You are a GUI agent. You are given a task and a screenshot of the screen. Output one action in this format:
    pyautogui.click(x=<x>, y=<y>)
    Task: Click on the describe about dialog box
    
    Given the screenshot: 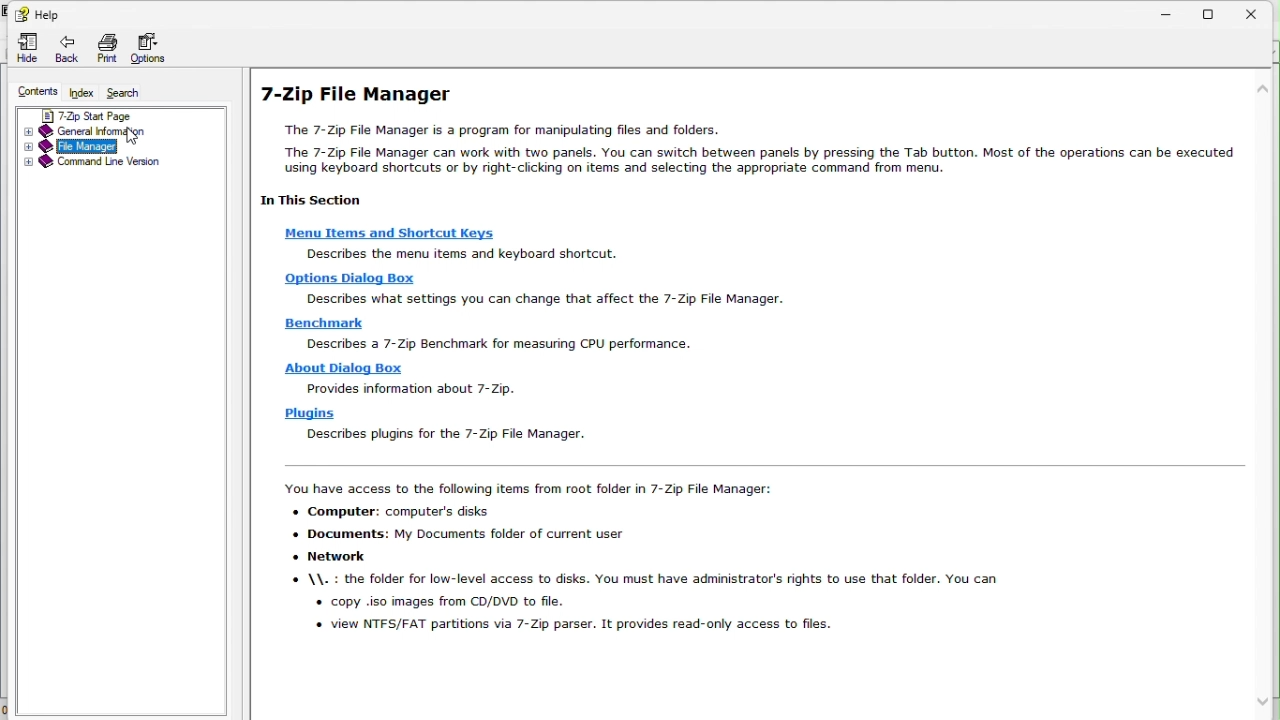 What is the action you would take?
    pyautogui.click(x=419, y=388)
    